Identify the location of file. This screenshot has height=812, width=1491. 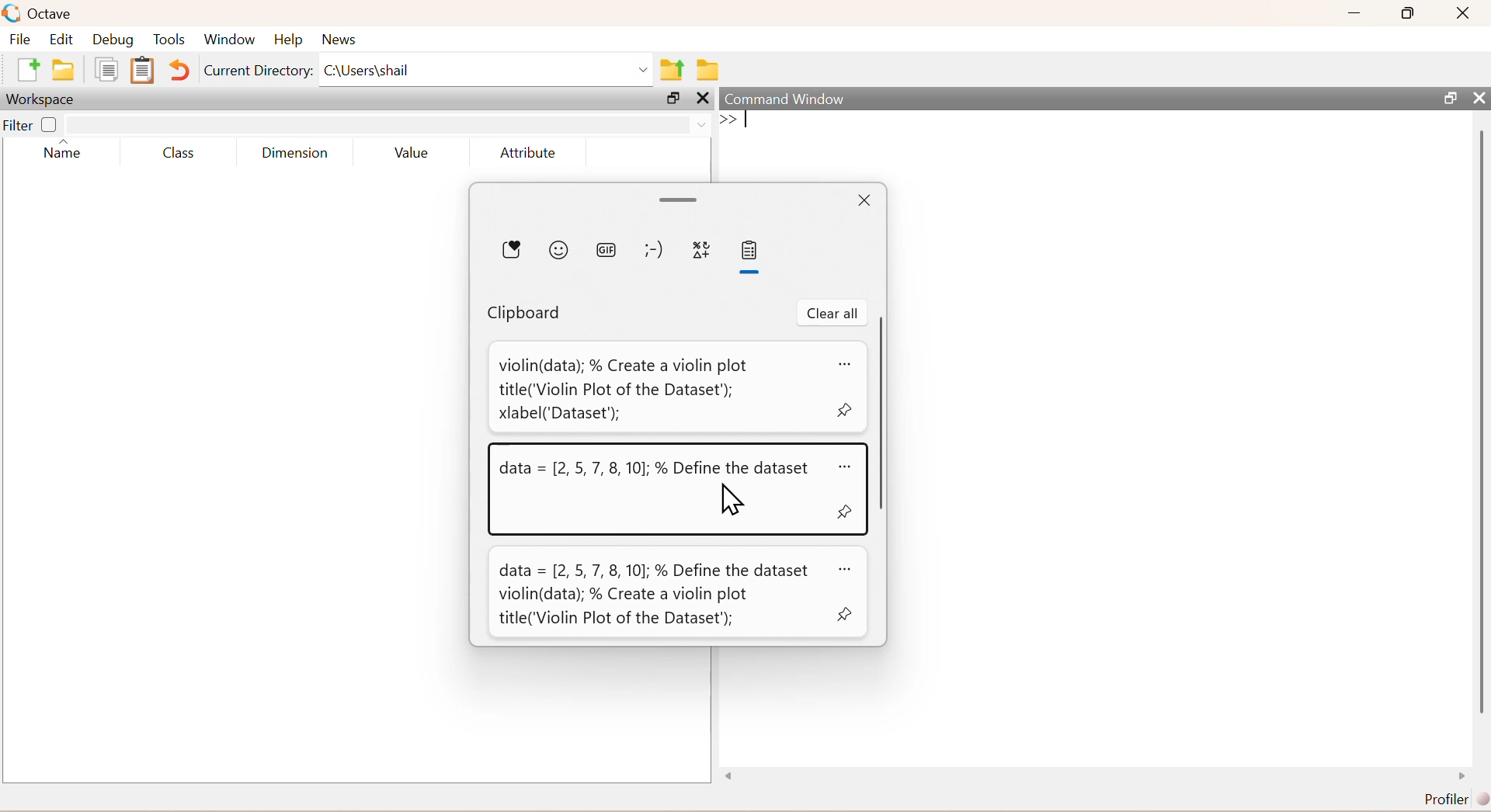
(20, 38).